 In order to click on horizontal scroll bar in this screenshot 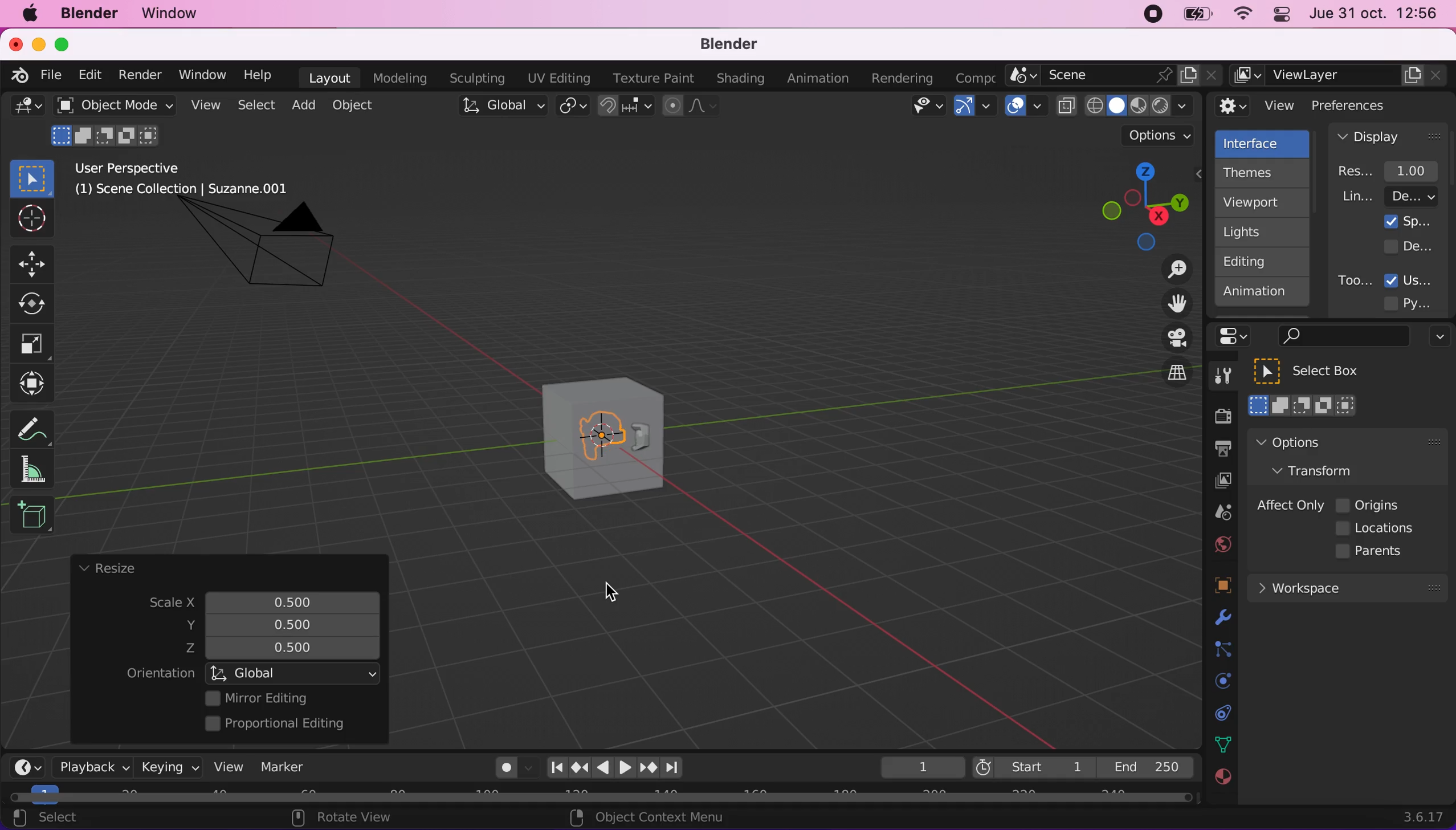, I will do `click(601, 798)`.